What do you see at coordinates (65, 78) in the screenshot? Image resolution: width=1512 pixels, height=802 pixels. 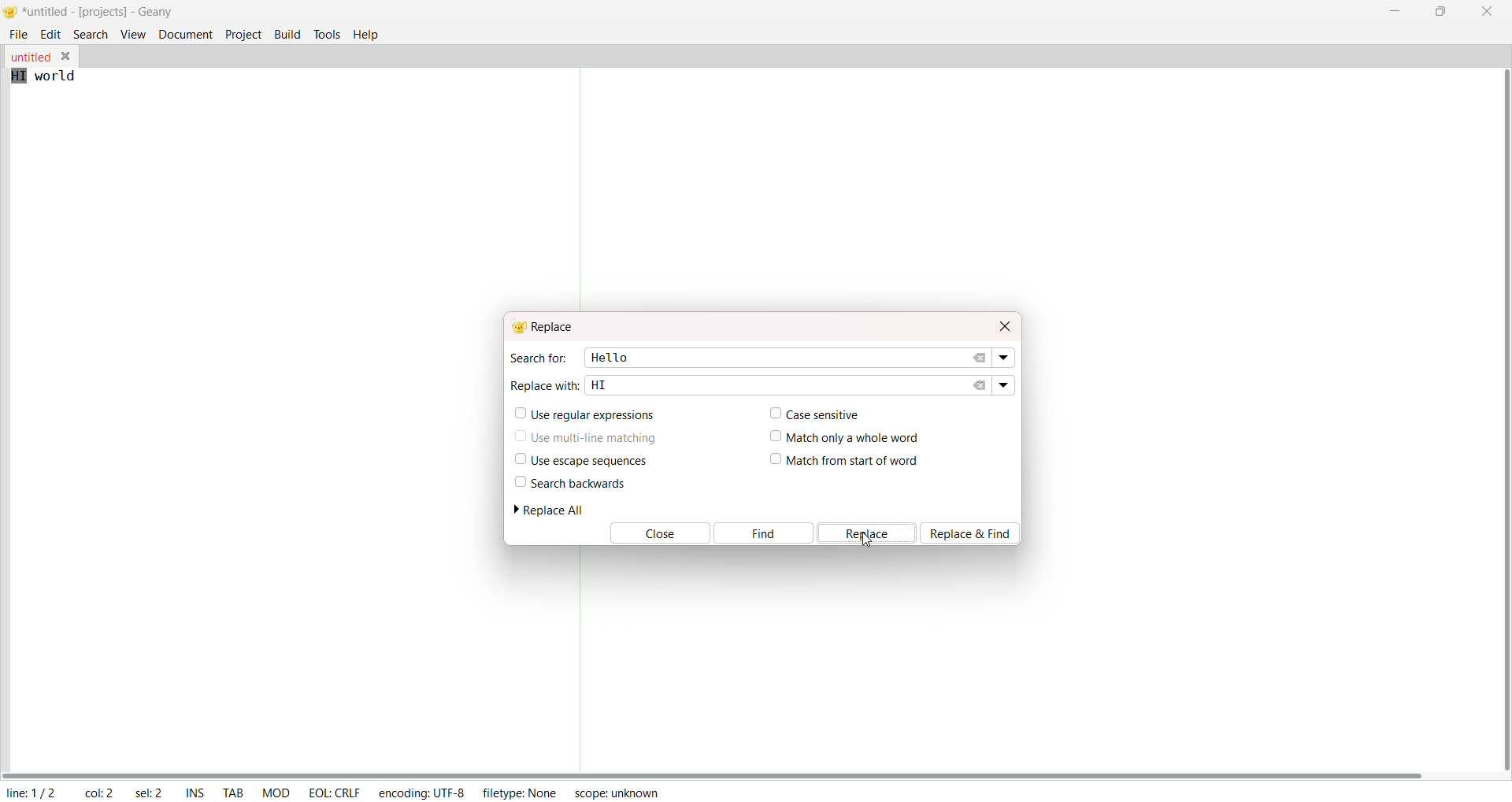 I see `world` at bounding box center [65, 78].